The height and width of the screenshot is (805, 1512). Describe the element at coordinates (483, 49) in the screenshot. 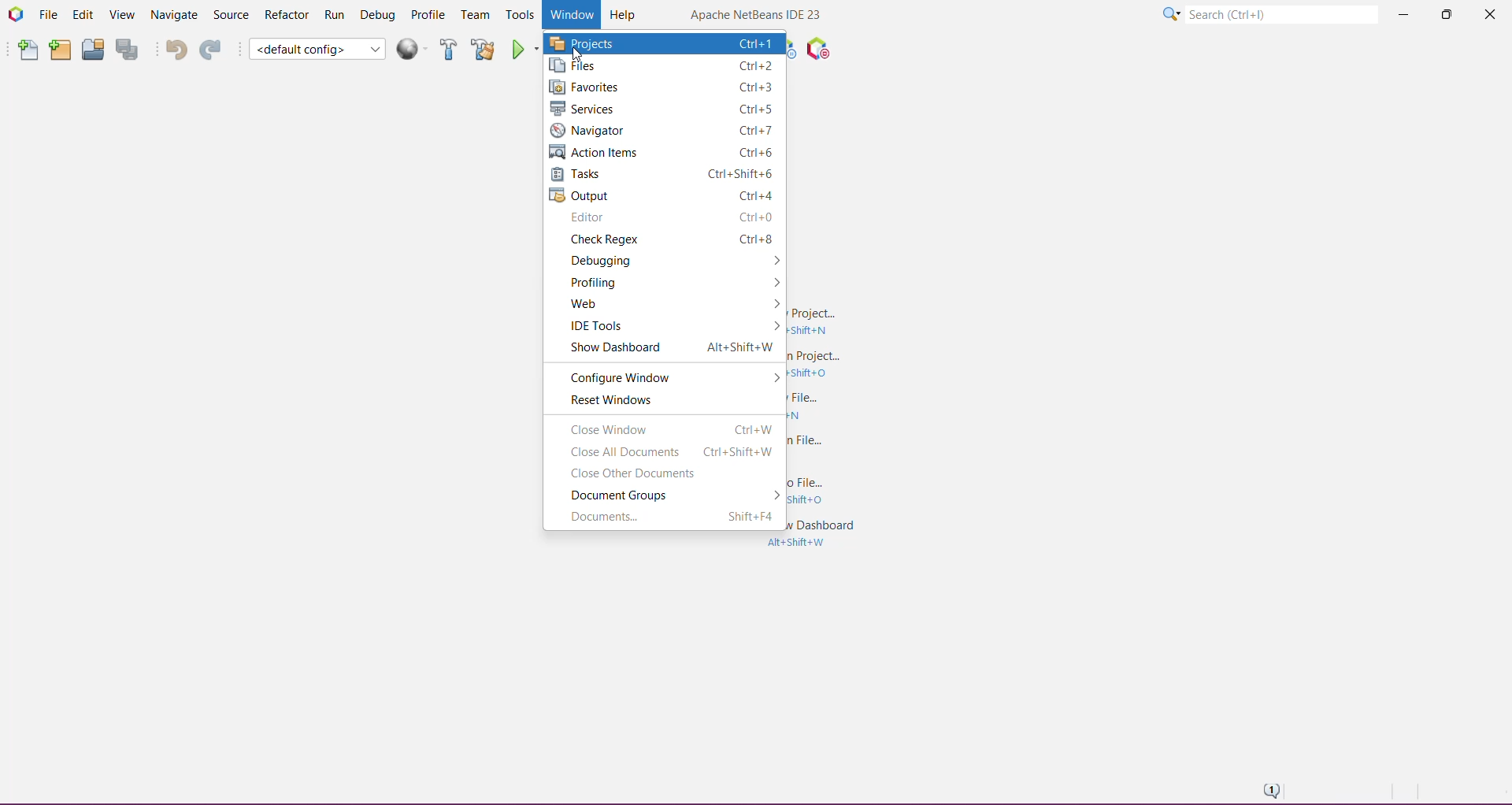

I see `Clean and Build Project` at that location.